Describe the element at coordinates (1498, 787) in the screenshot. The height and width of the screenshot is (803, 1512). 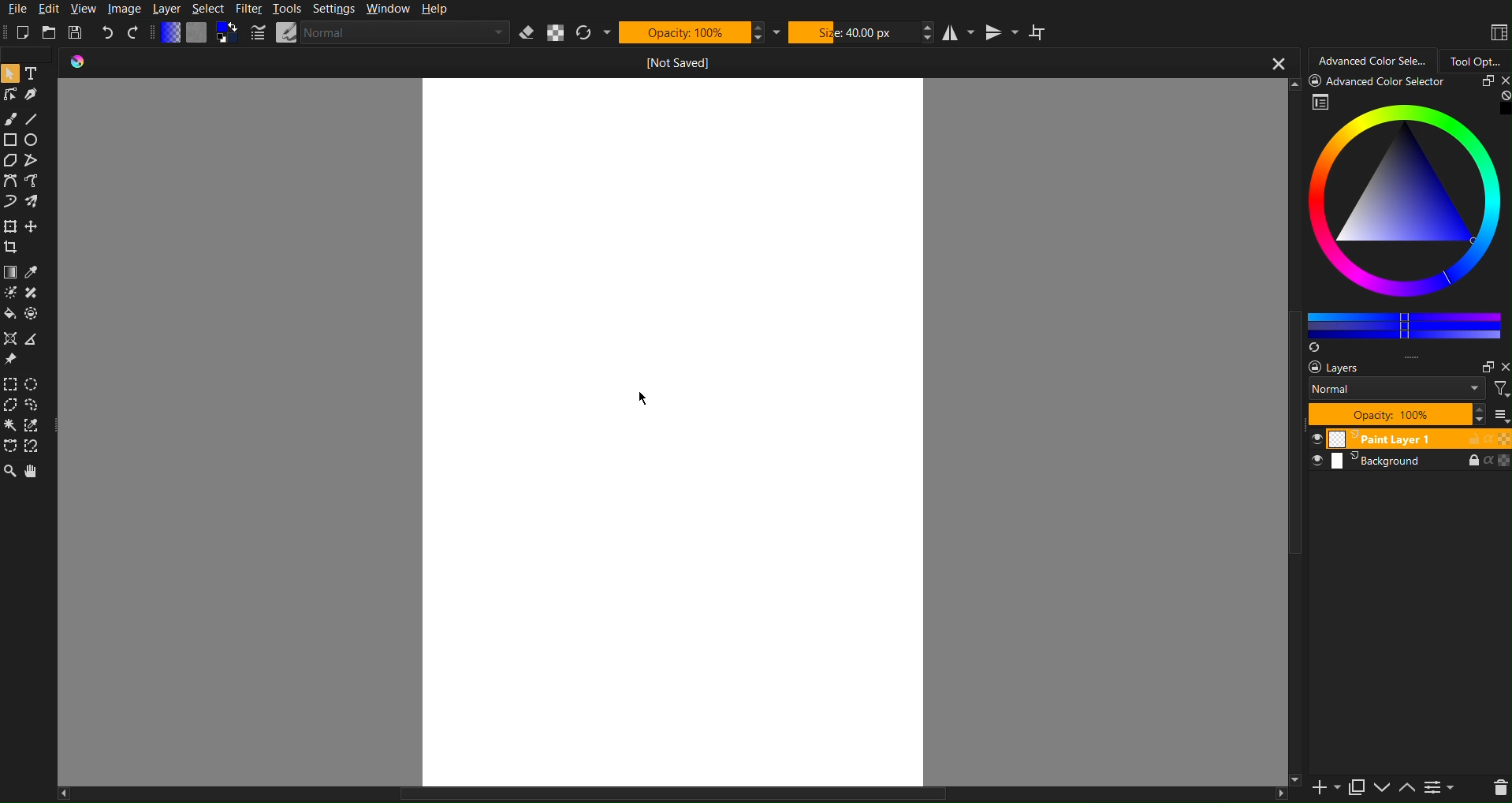
I see `Delete` at that location.